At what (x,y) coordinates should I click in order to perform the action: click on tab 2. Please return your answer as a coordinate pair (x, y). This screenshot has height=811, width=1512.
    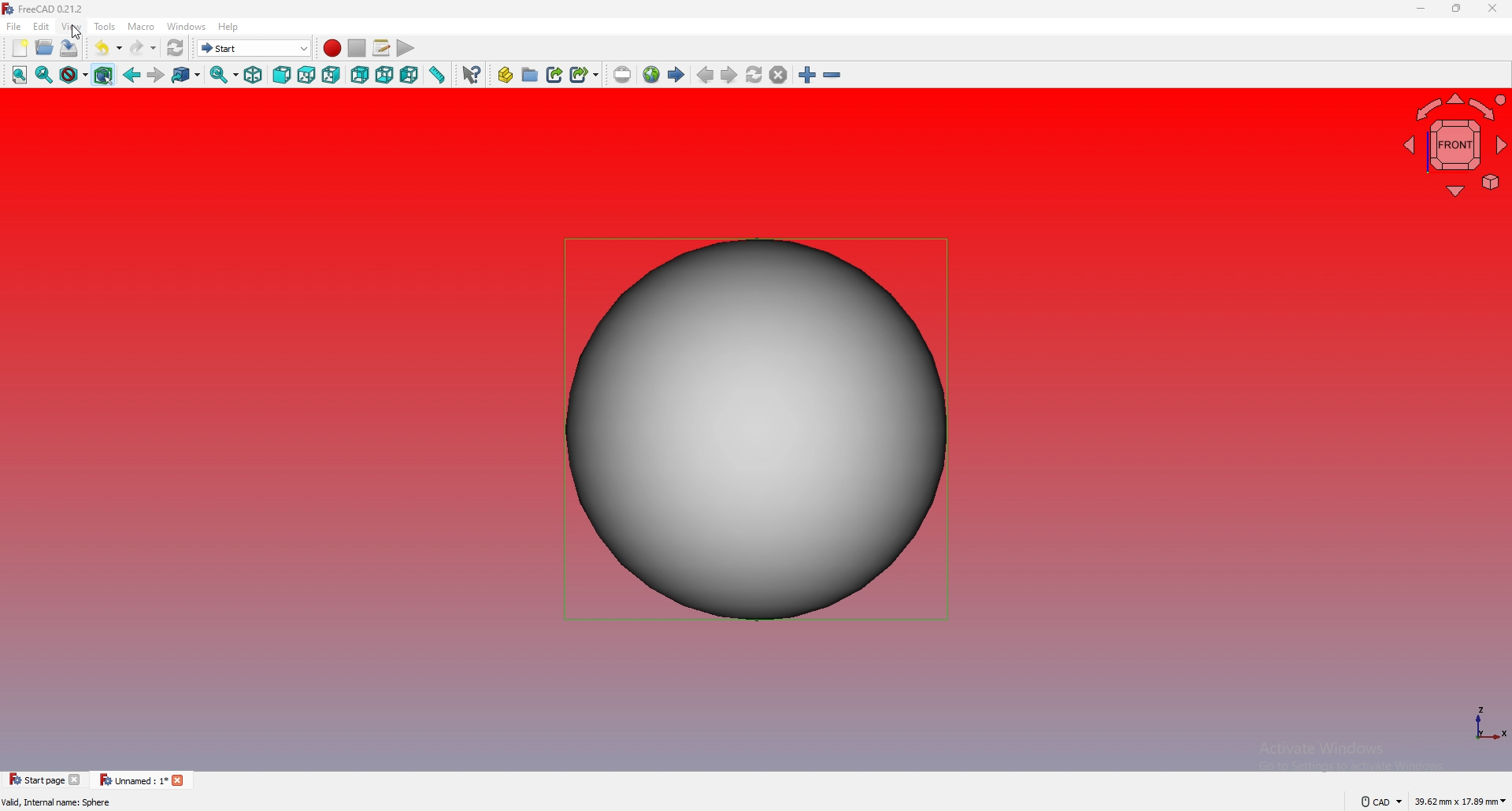
    Looking at the image, I should click on (143, 781).